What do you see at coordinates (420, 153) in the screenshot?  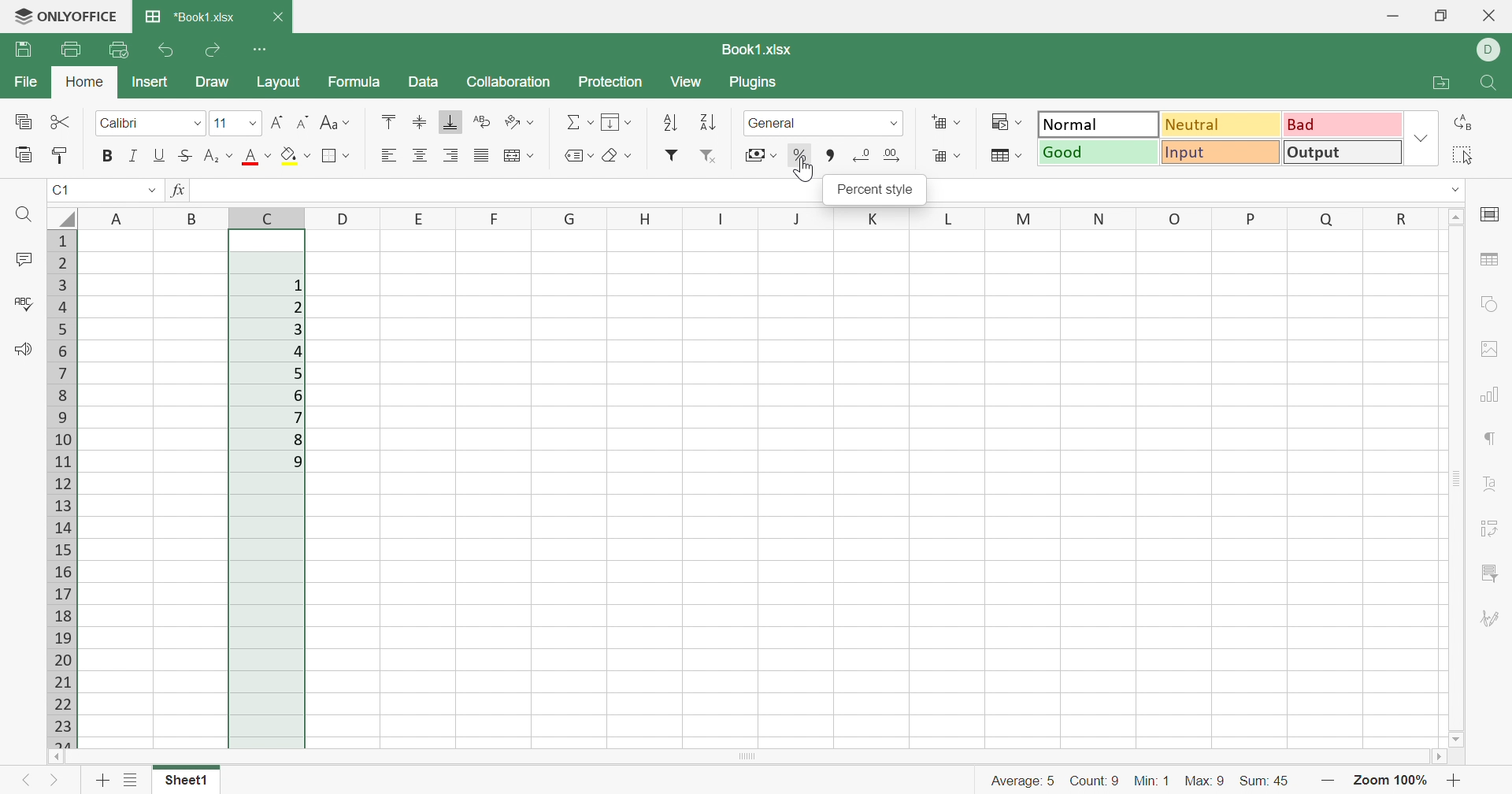 I see `Align Center` at bounding box center [420, 153].